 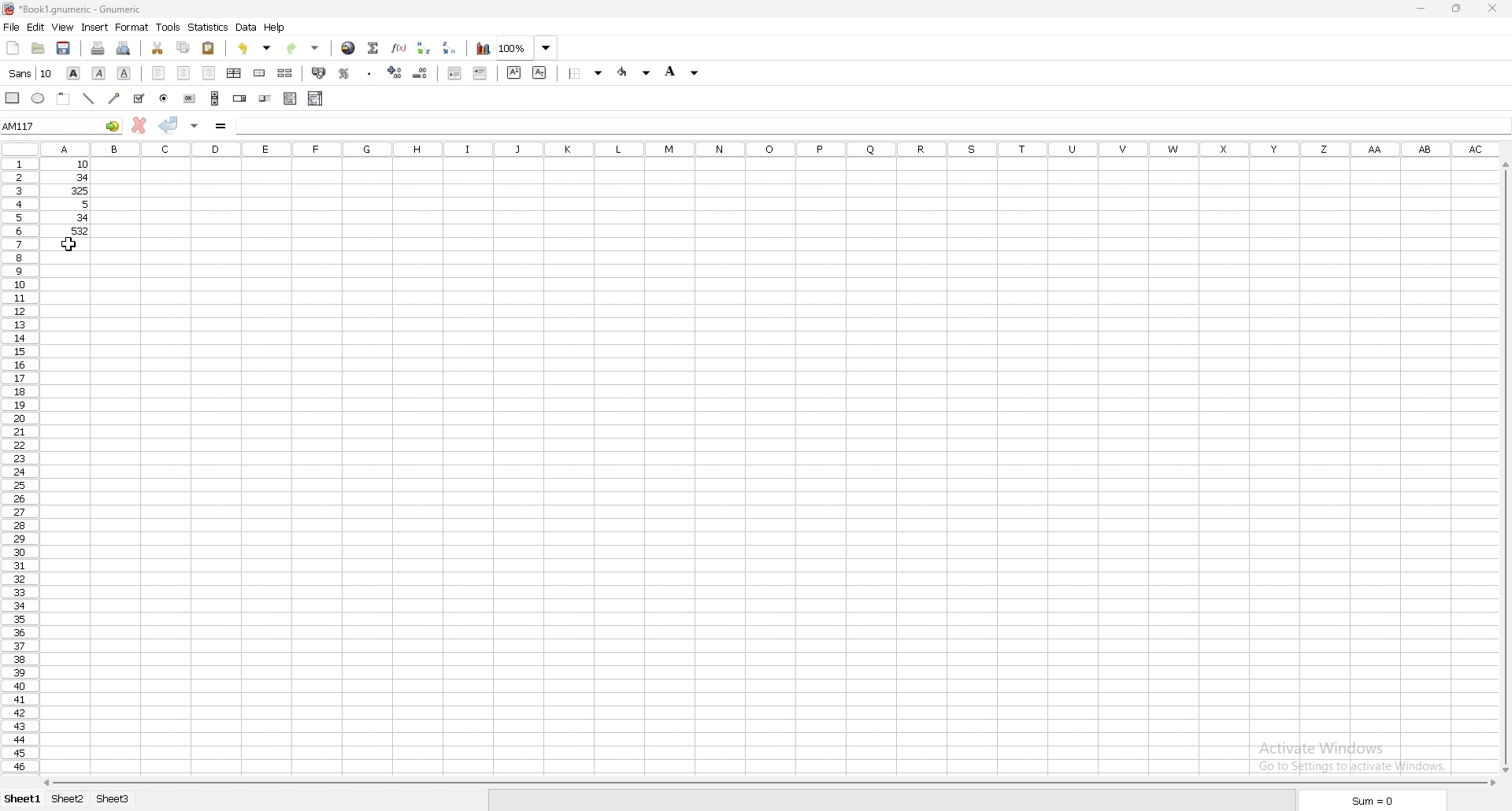 I want to click on insert, so click(x=94, y=27).